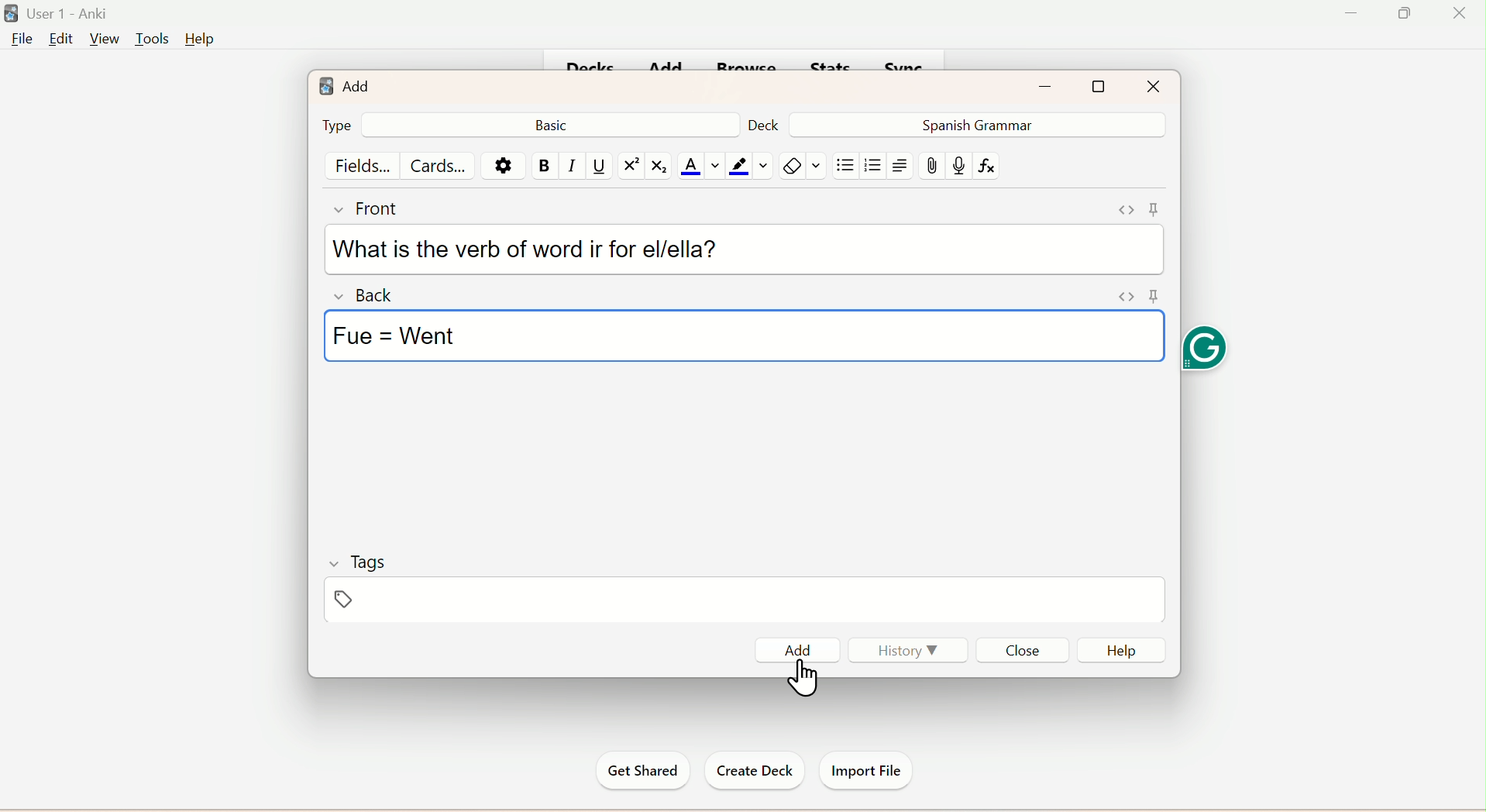 The width and height of the screenshot is (1486, 812). I want to click on Import File, so click(865, 769).